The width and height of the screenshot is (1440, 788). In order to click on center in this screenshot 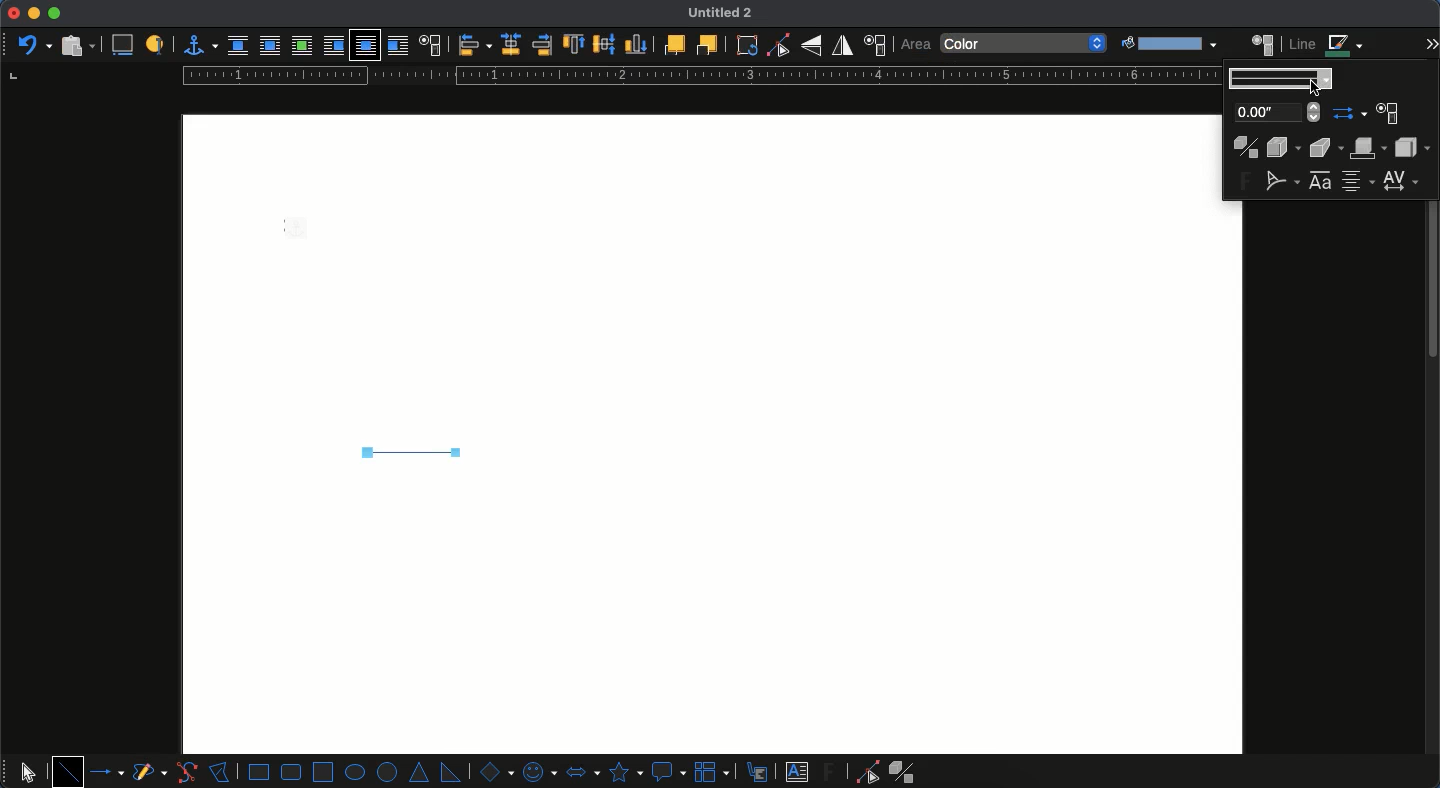, I will do `click(605, 42)`.